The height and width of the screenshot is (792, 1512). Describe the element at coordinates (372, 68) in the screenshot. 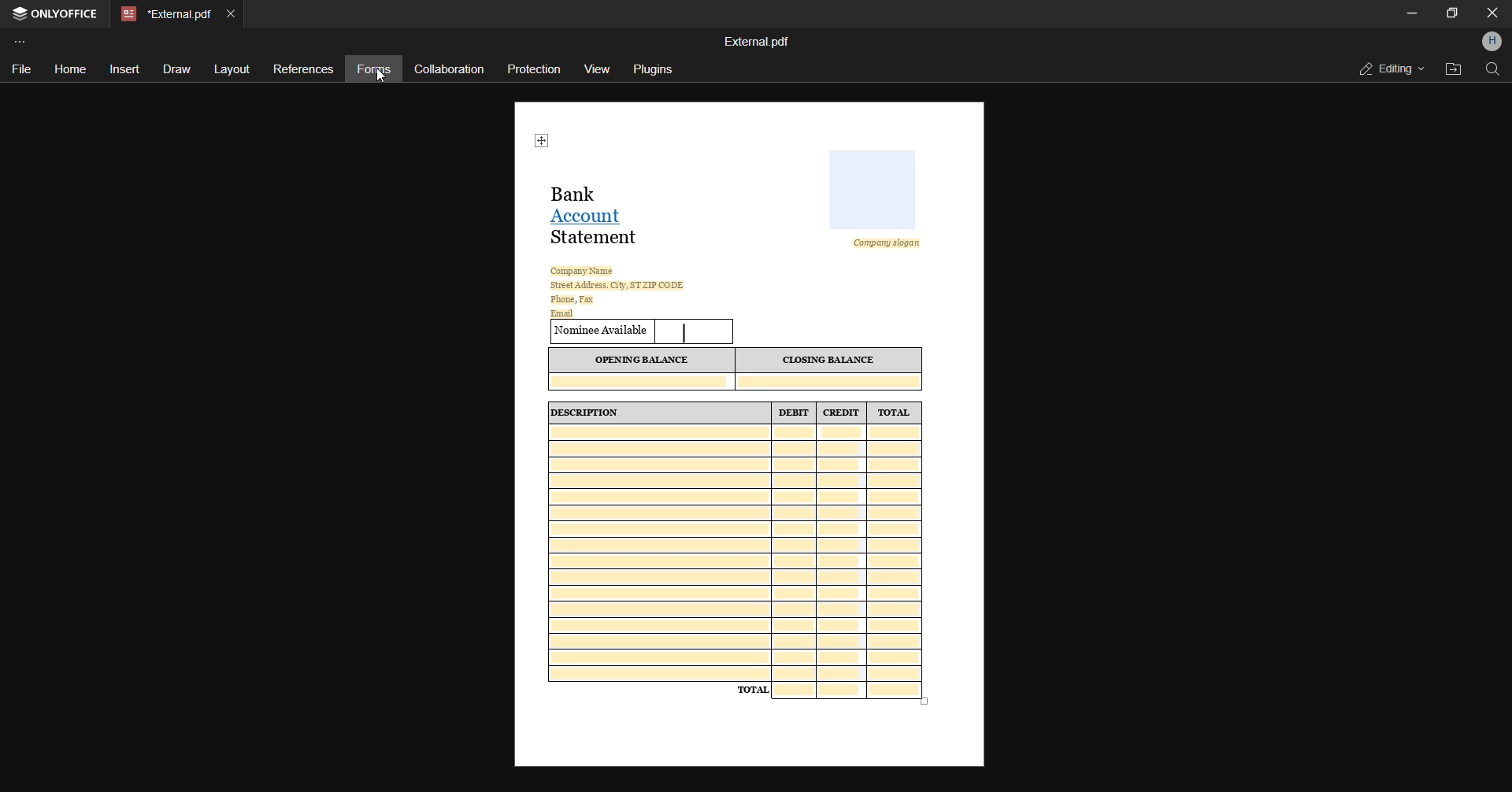

I see `forms` at that location.